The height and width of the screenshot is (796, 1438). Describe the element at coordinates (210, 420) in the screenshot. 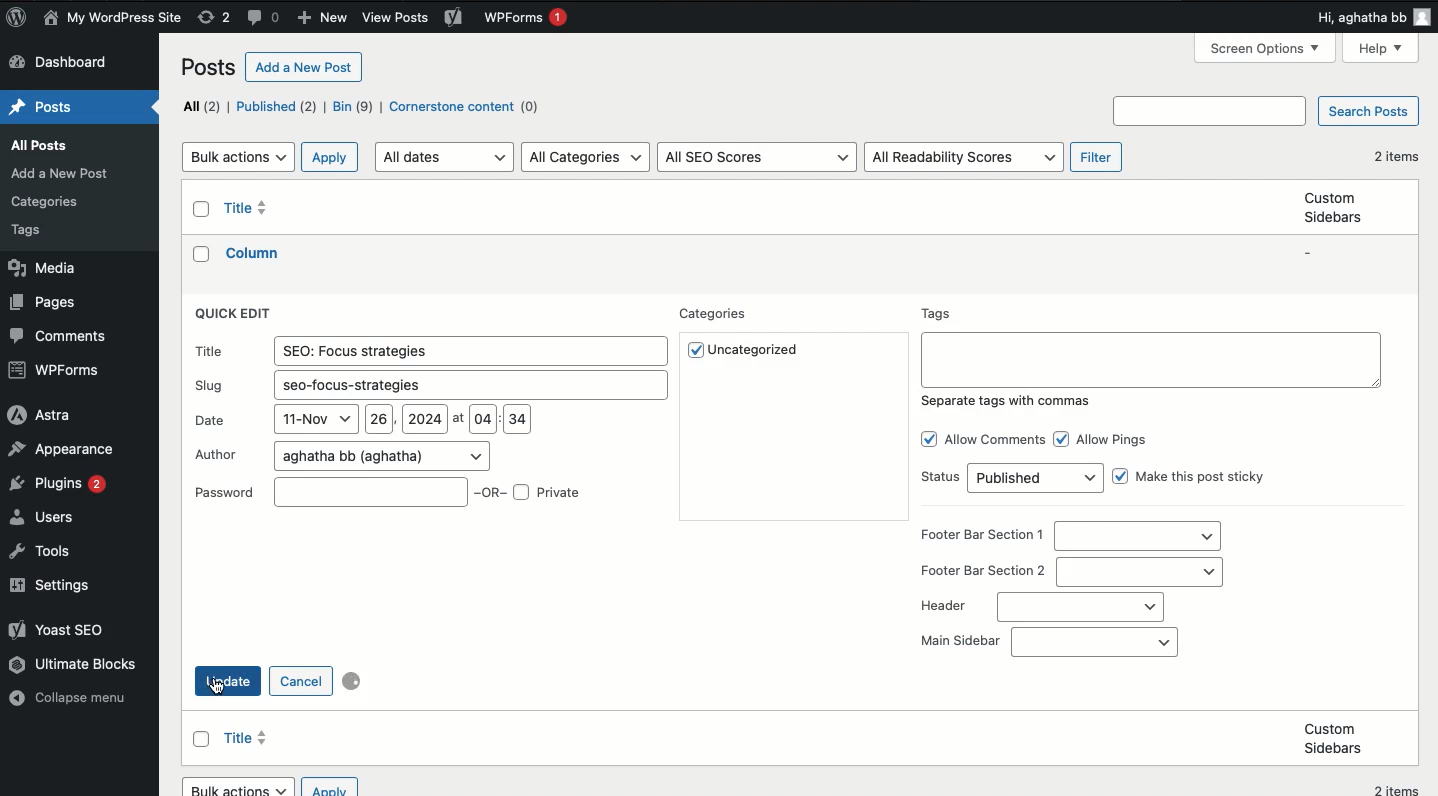

I see `Date` at that location.